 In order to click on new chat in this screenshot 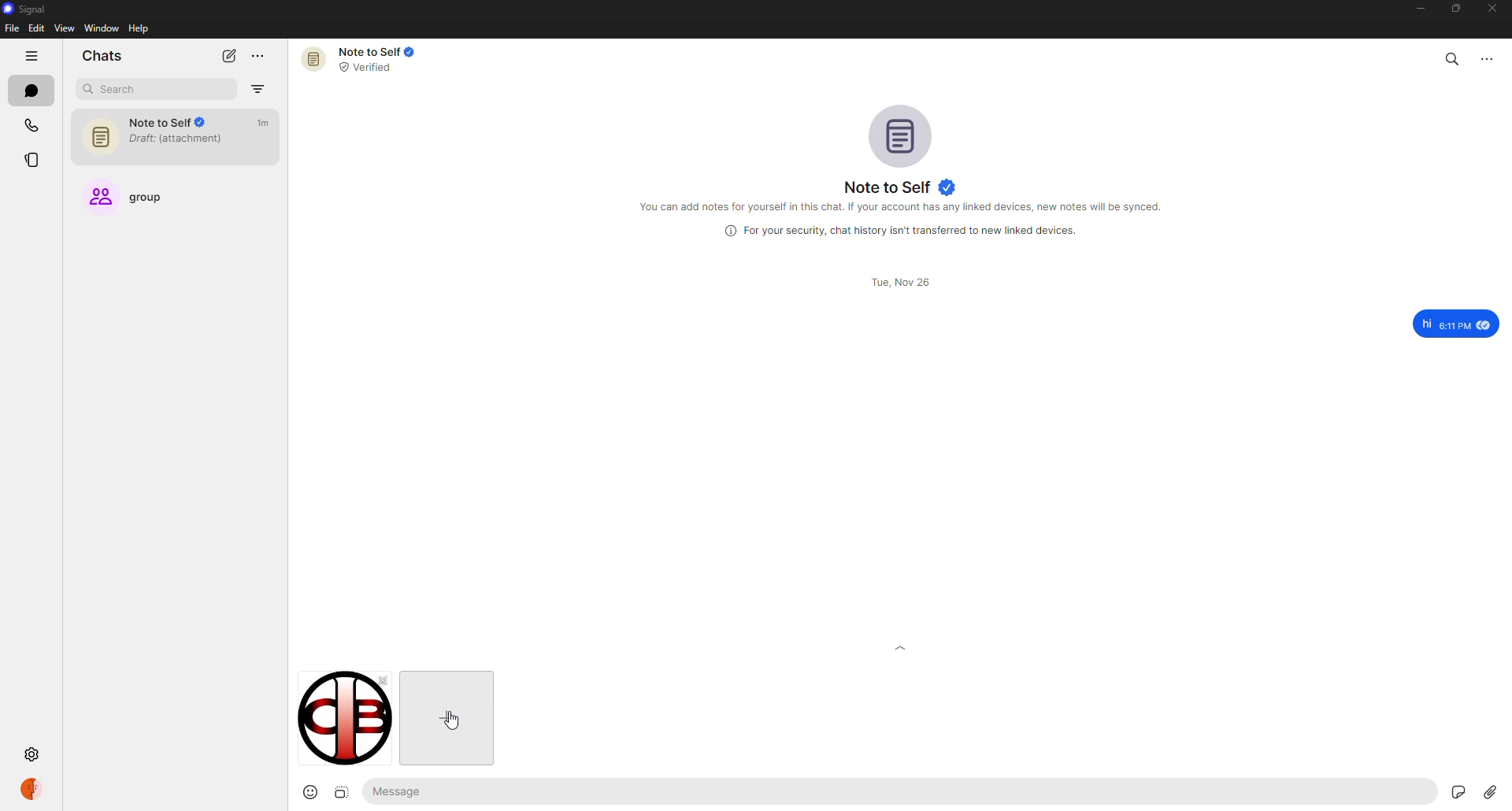, I will do `click(228, 56)`.